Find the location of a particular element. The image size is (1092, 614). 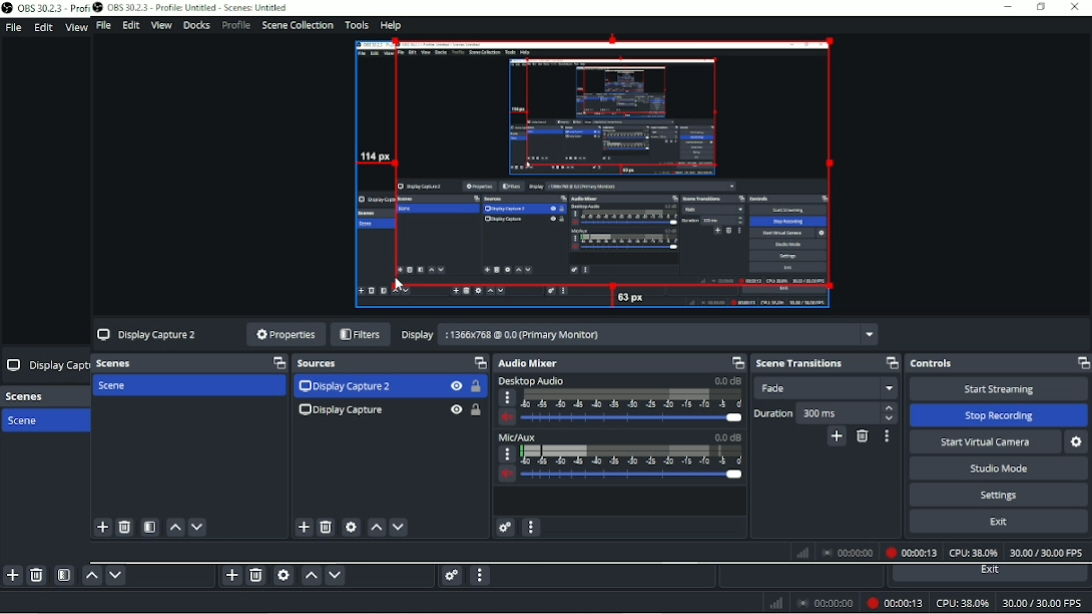

0.0 dB is located at coordinates (724, 437).